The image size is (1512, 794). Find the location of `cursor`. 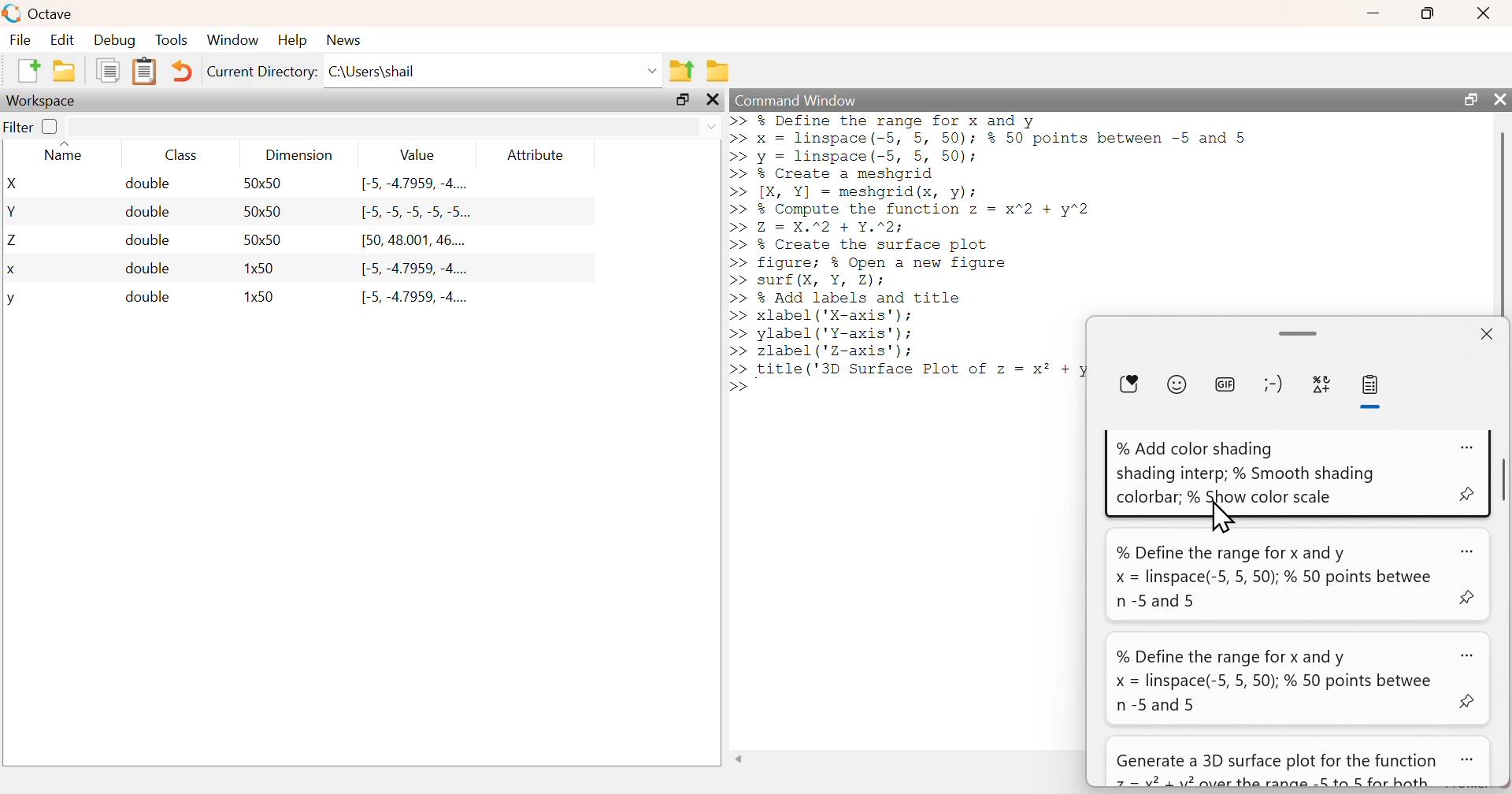

cursor is located at coordinates (1227, 520).